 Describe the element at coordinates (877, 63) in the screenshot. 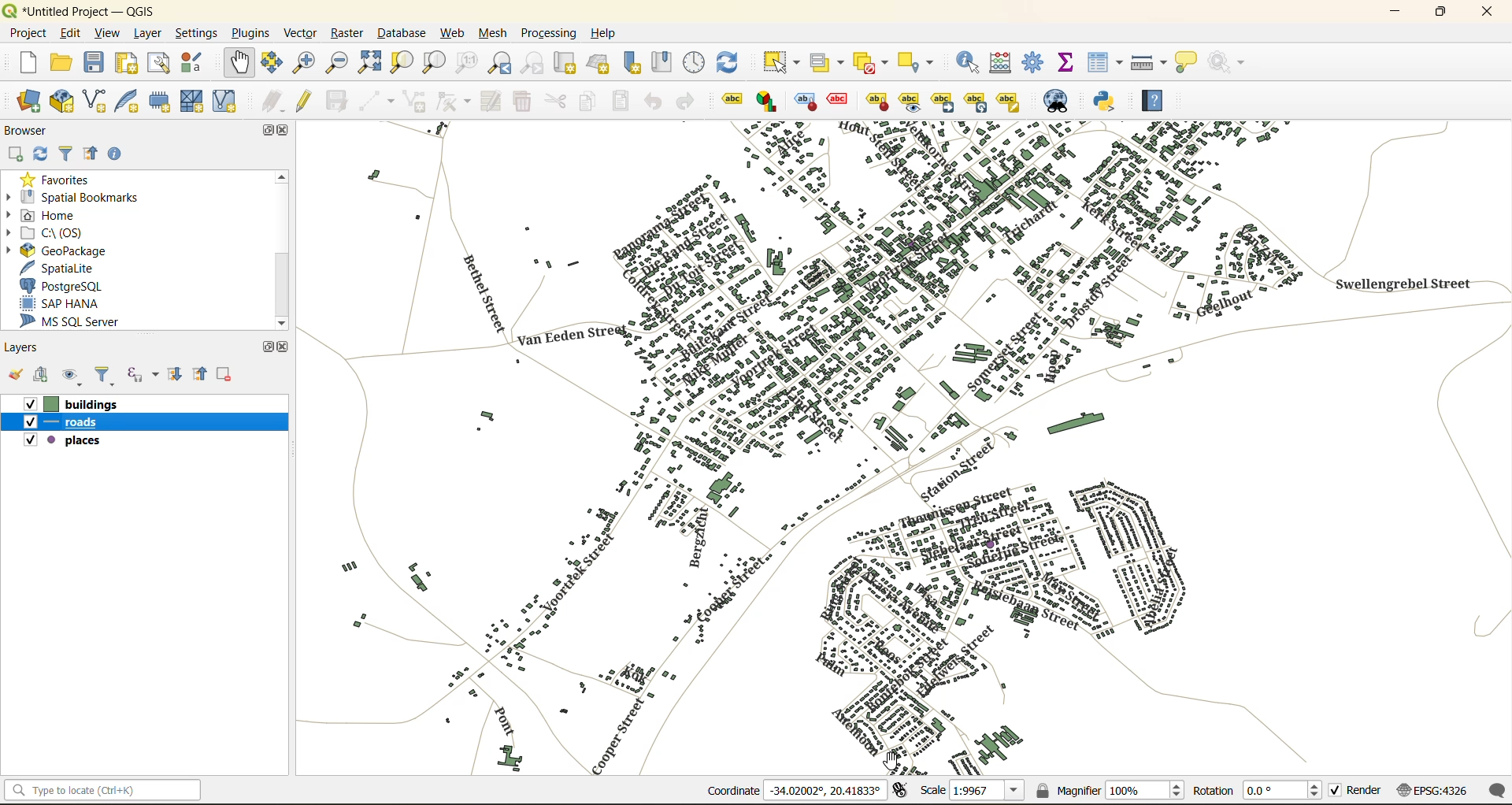

I see `deselect value` at that location.